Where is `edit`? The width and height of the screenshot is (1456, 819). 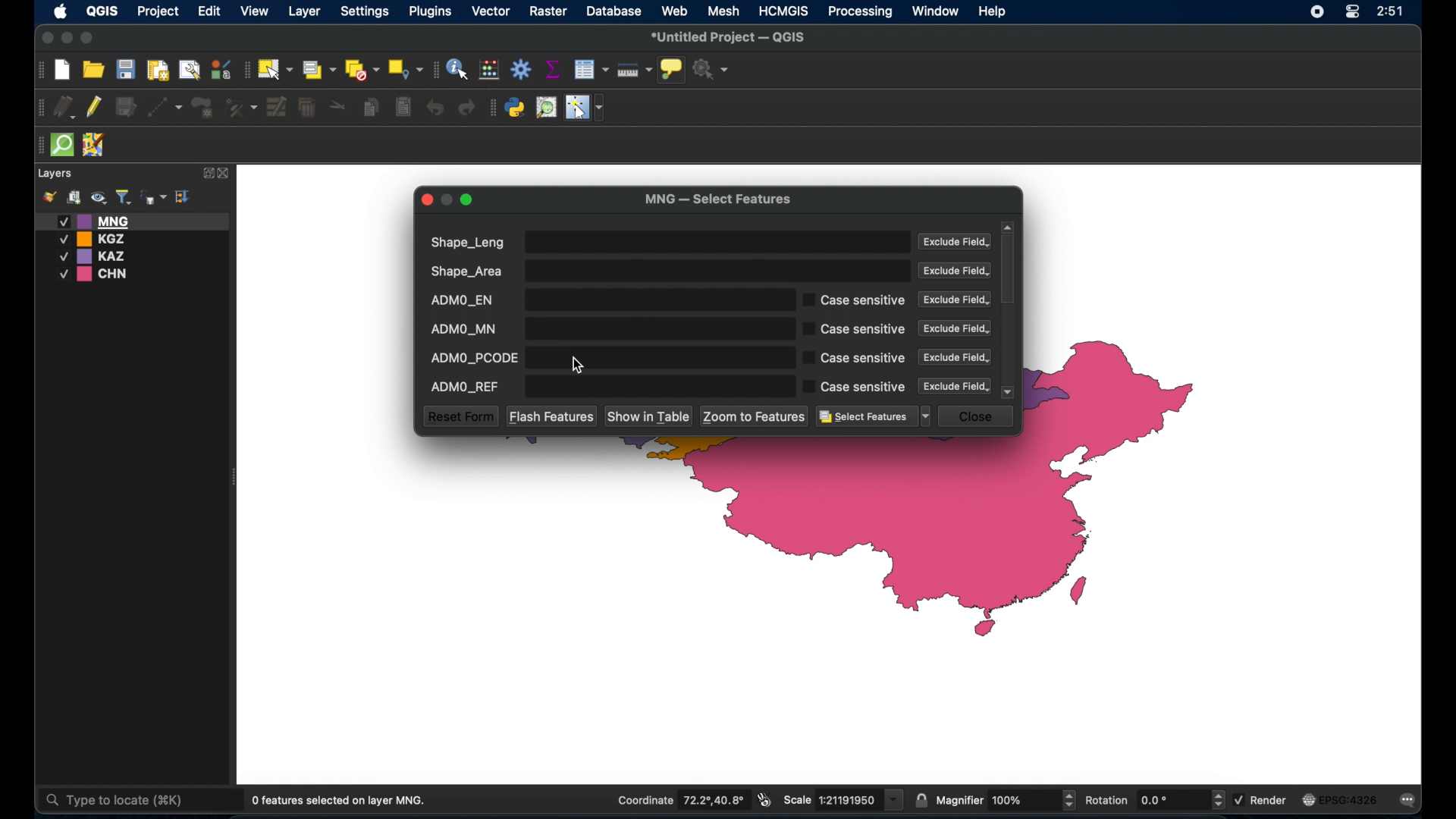
edit is located at coordinates (209, 12).